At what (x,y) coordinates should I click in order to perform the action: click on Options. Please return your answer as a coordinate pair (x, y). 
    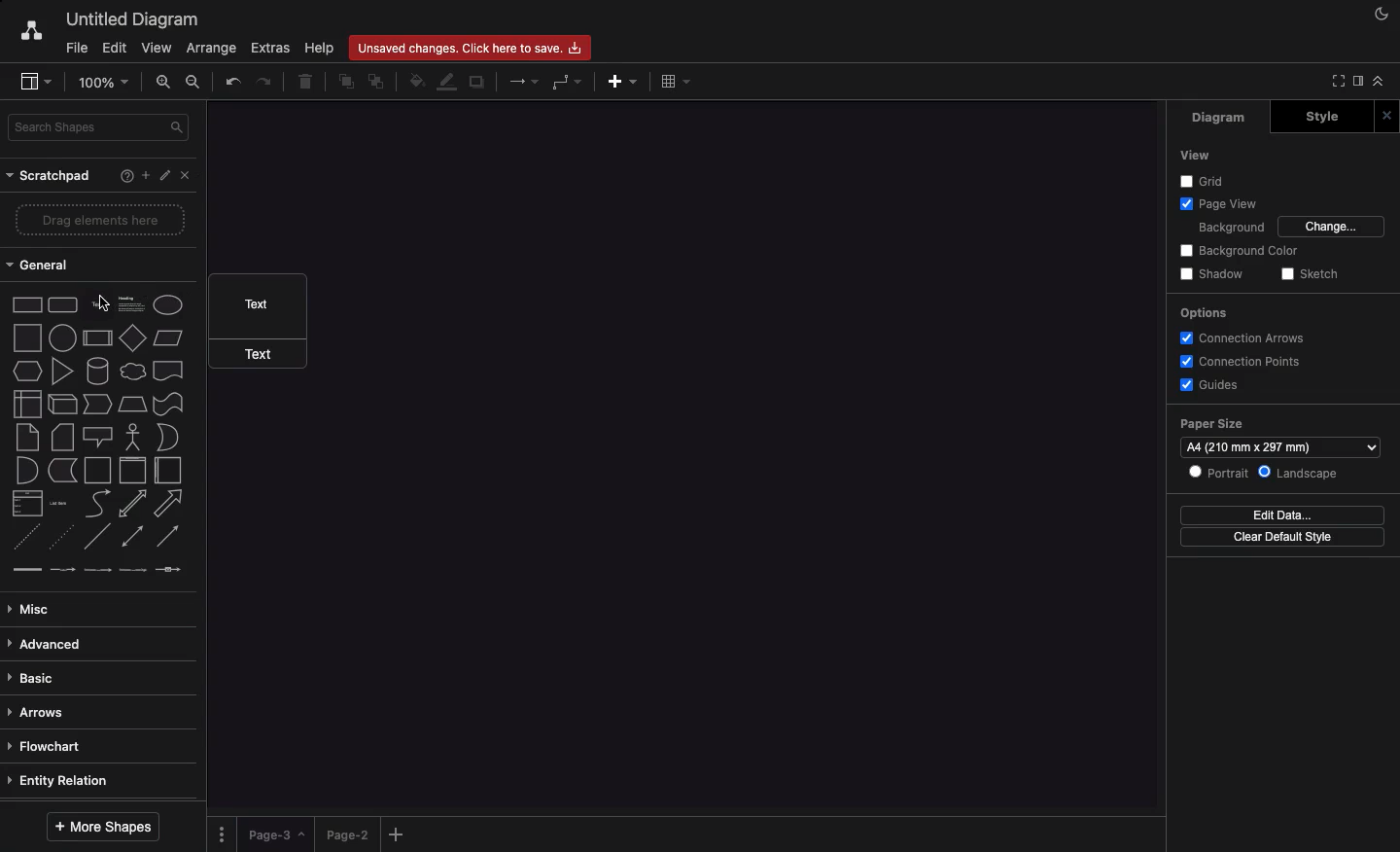
    Looking at the image, I should click on (1206, 312).